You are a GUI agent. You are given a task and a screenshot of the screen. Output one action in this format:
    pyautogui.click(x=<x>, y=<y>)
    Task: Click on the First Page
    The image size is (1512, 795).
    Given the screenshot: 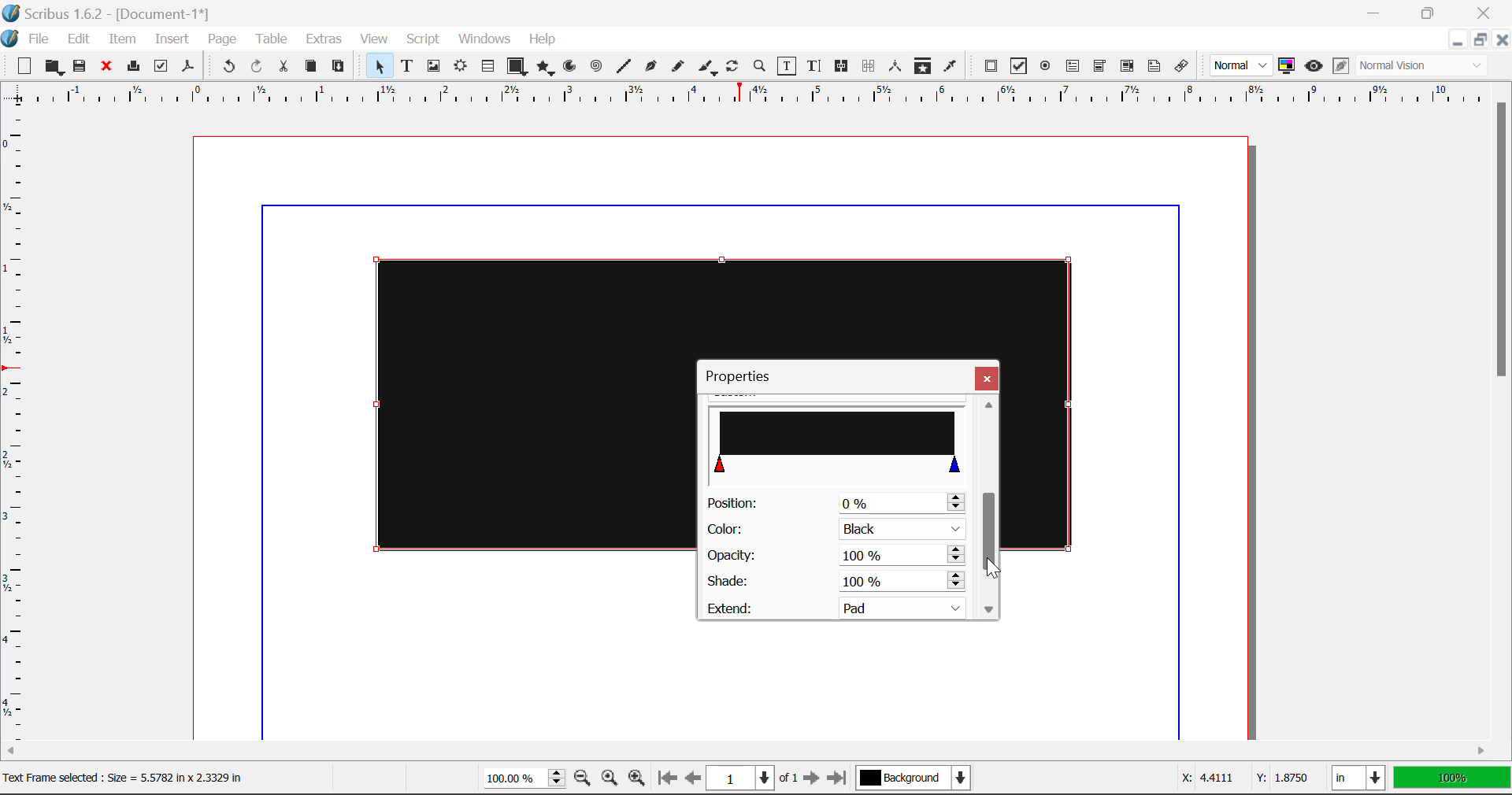 What is the action you would take?
    pyautogui.click(x=665, y=779)
    